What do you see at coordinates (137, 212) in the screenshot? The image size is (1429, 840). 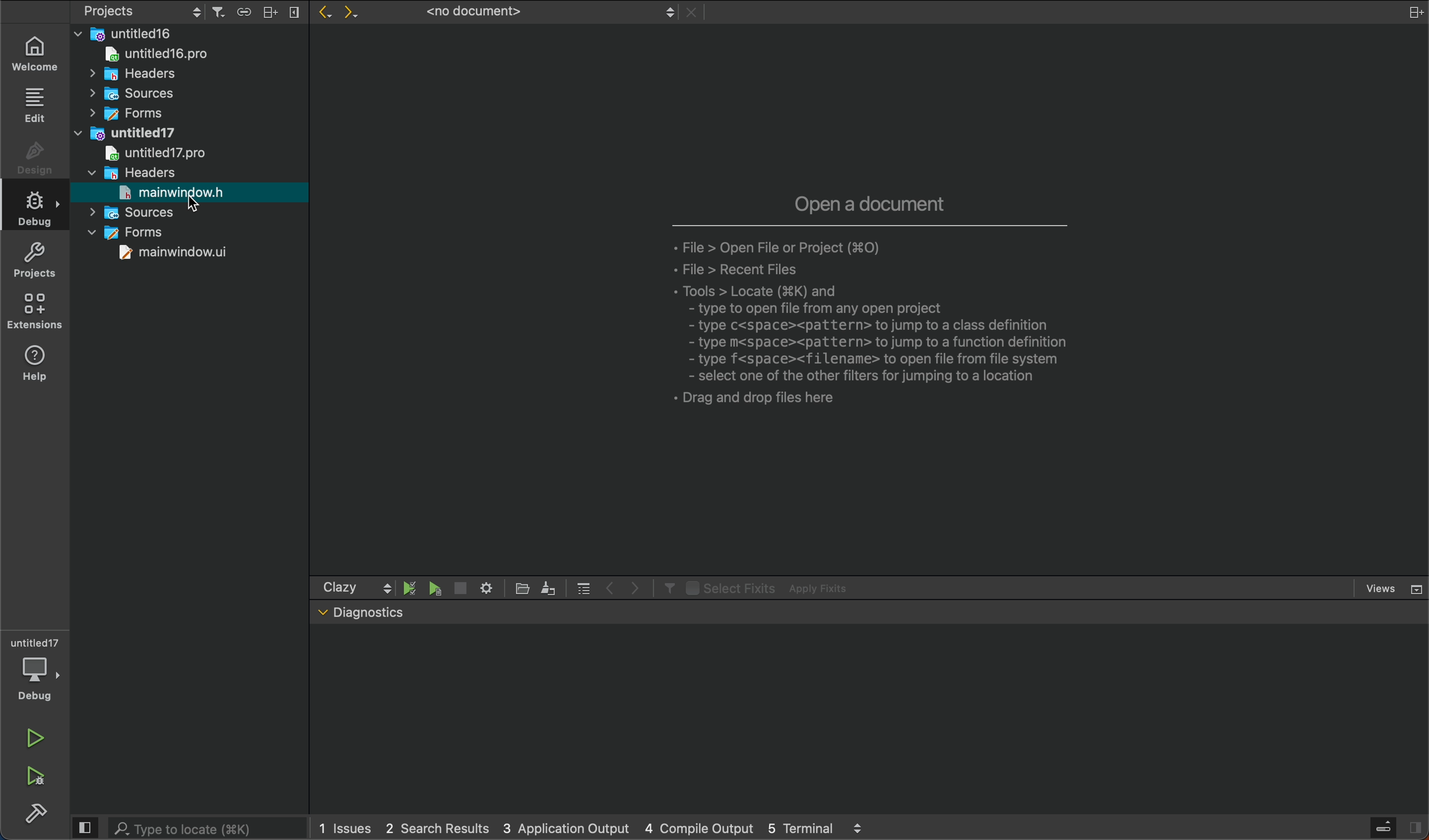 I see `Sources` at bounding box center [137, 212].